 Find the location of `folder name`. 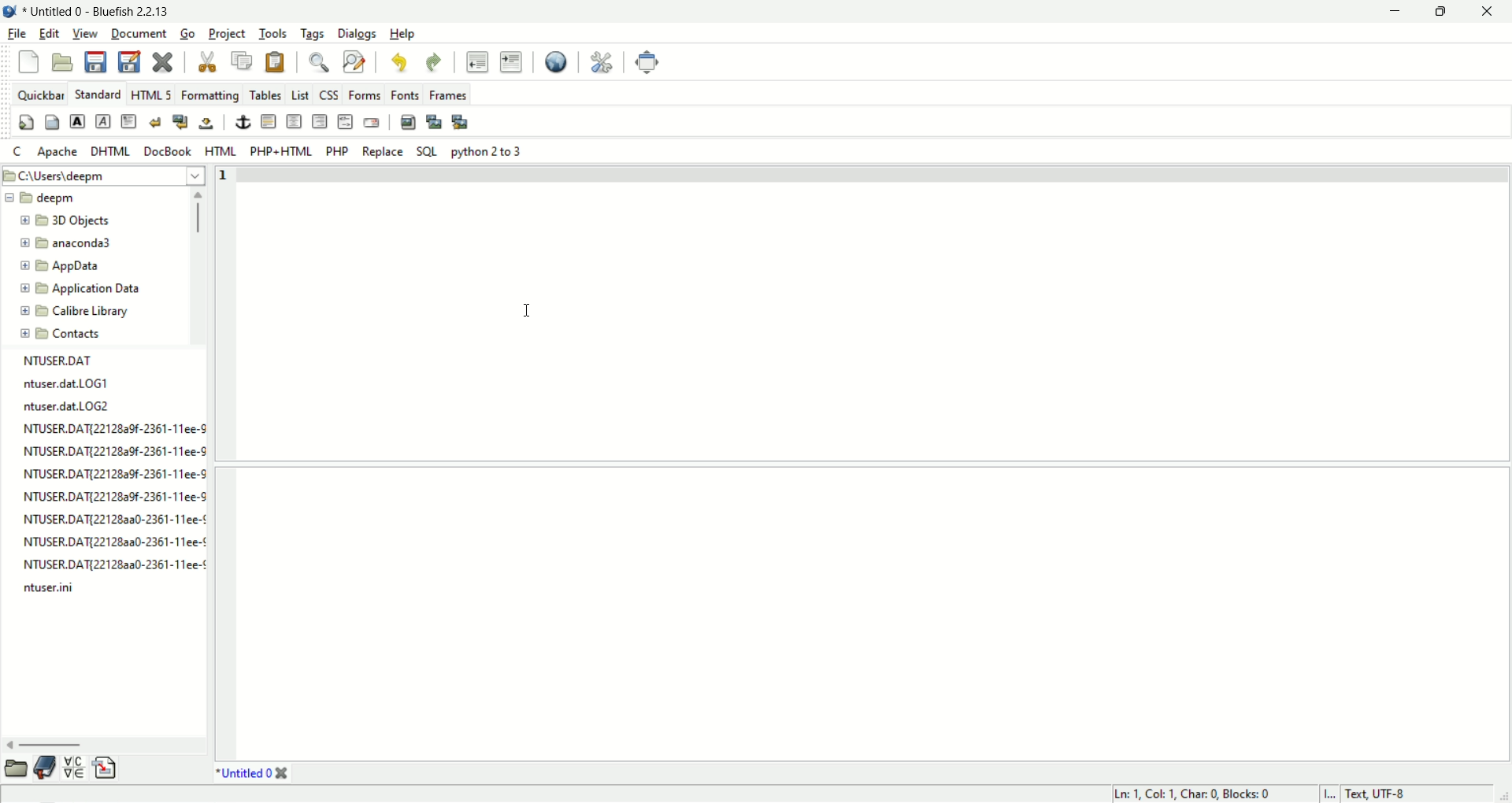

folder name is located at coordinates (72, 265).